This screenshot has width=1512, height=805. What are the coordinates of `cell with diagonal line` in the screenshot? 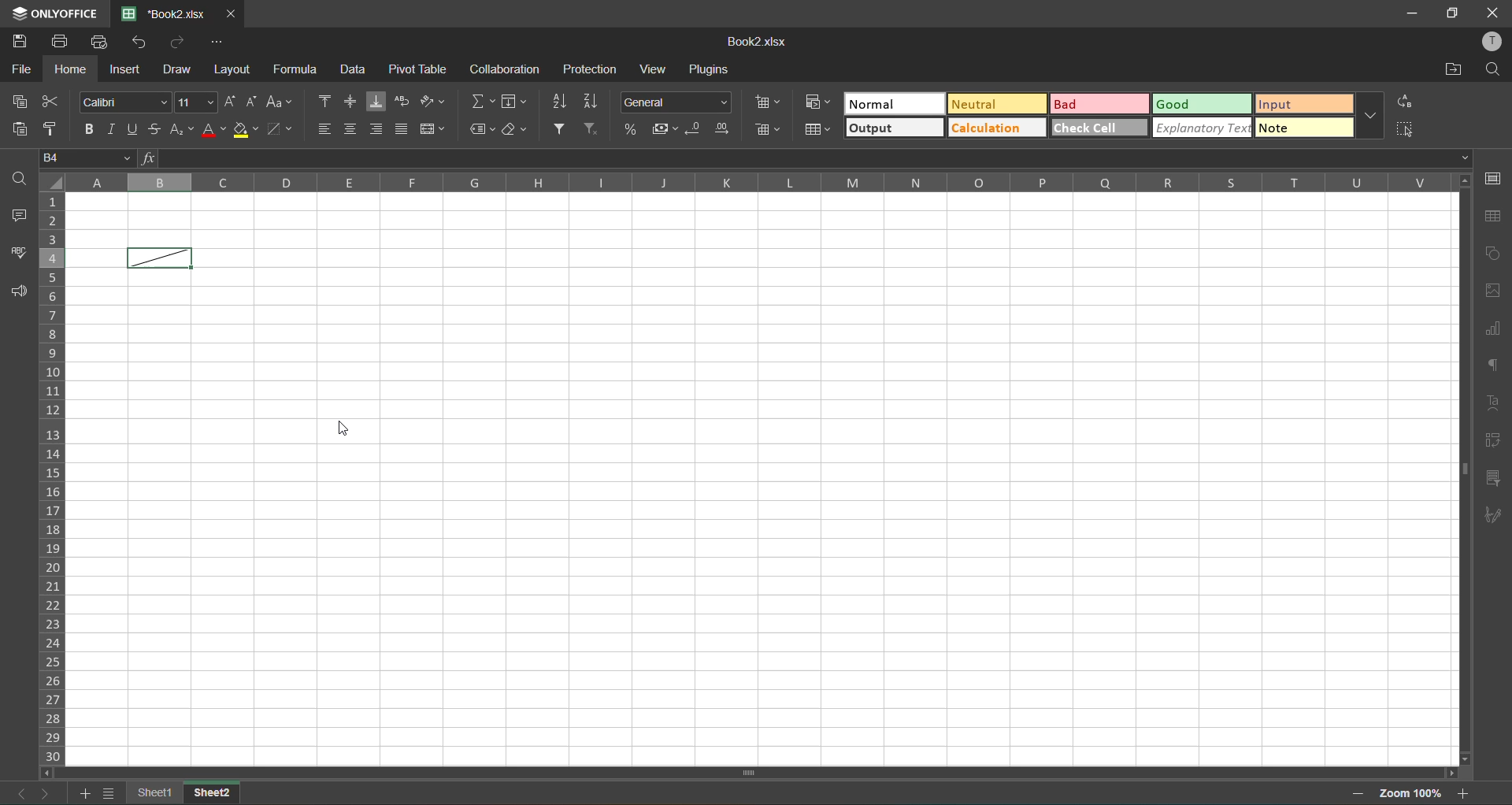 It's located at (160, 258).